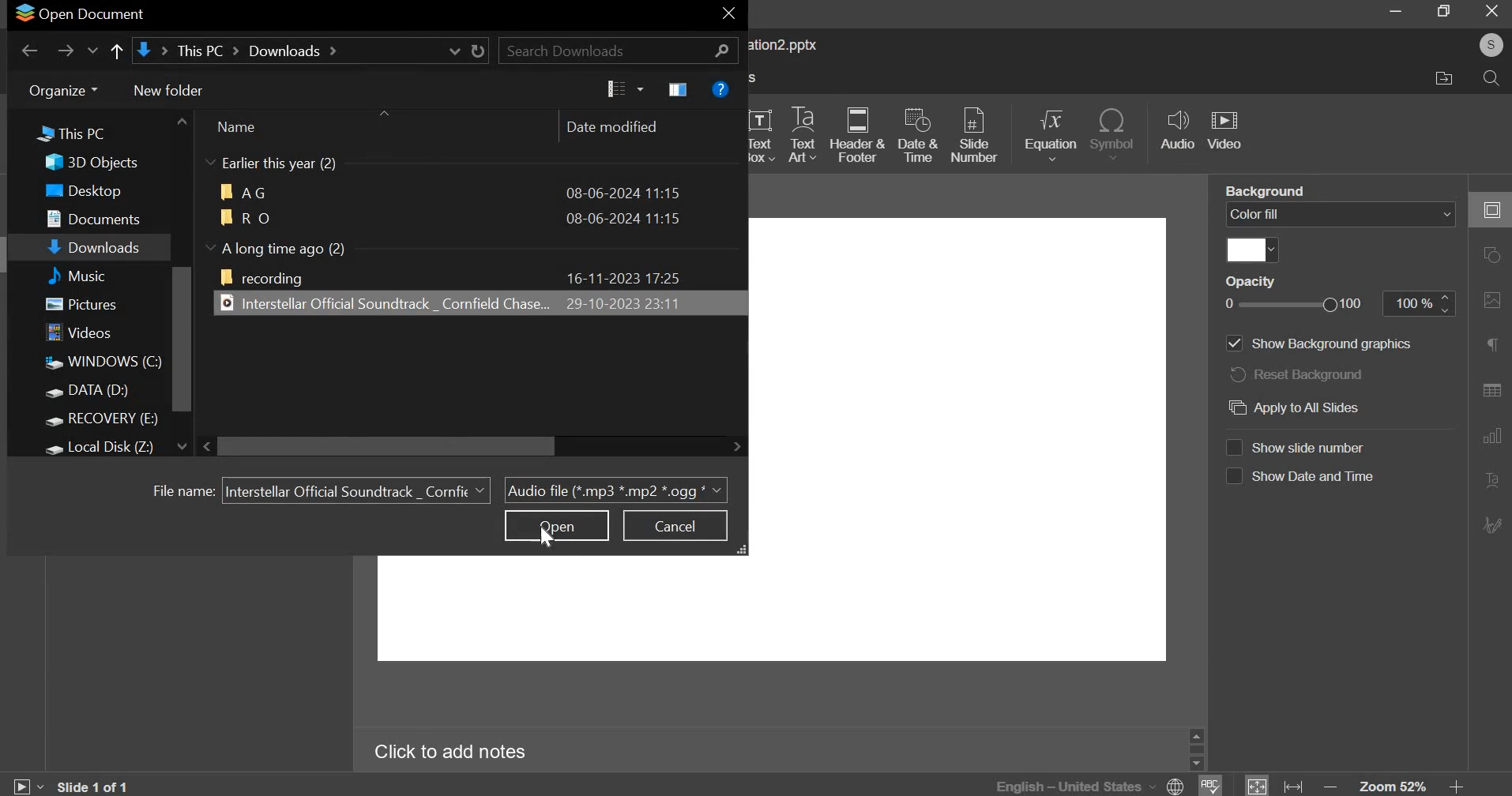  Describe the element at coordinates (1196, 749) in the screenshot. I see `scrollbar` at that location.